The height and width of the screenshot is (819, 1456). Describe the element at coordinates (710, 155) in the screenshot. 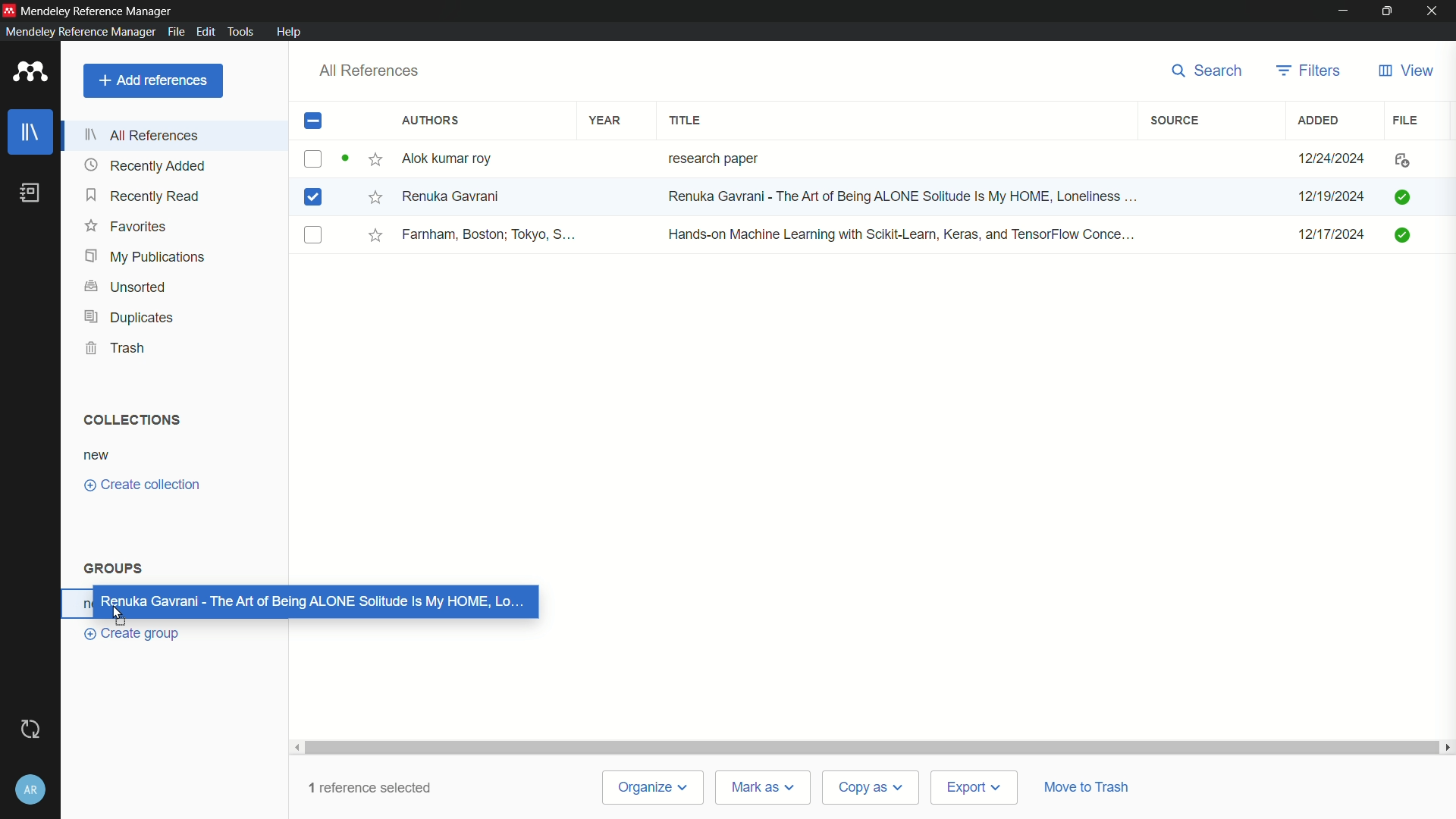

I see `reserach paper` at that location.